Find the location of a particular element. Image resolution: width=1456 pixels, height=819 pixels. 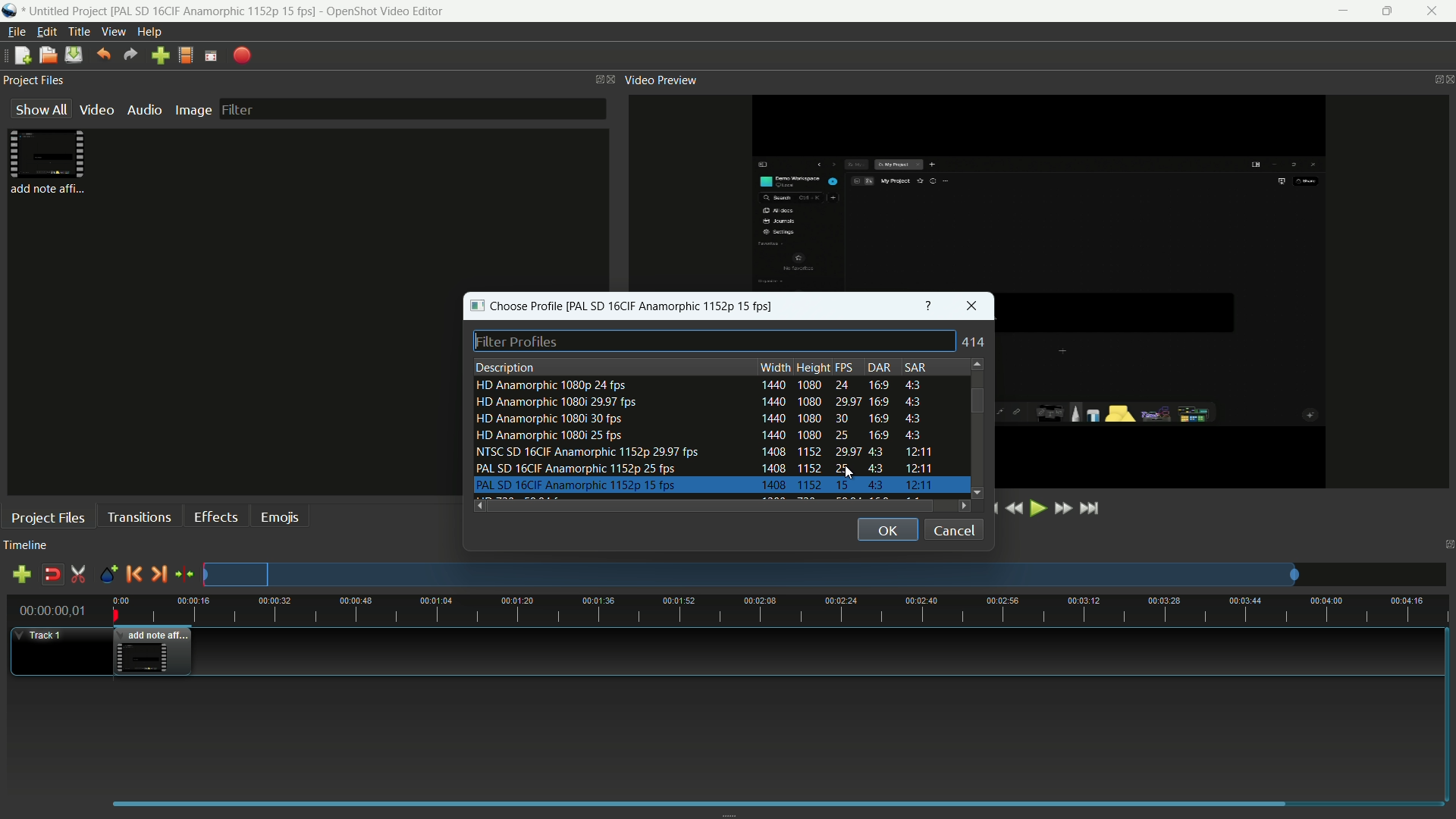

save file is located at coordinates (74, 55).